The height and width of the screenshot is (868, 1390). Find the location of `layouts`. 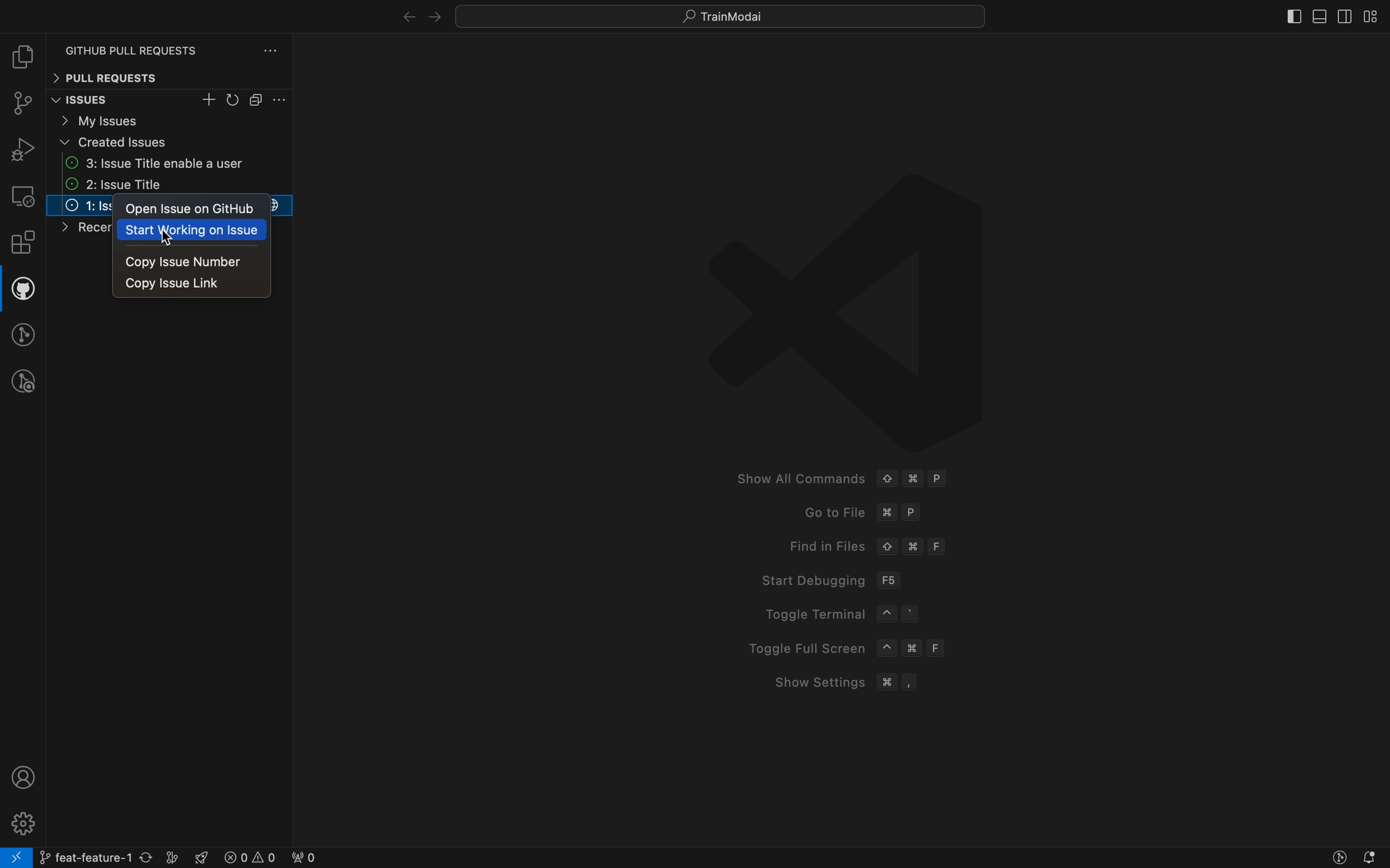

layouts is located at coordinates (1371, 16).